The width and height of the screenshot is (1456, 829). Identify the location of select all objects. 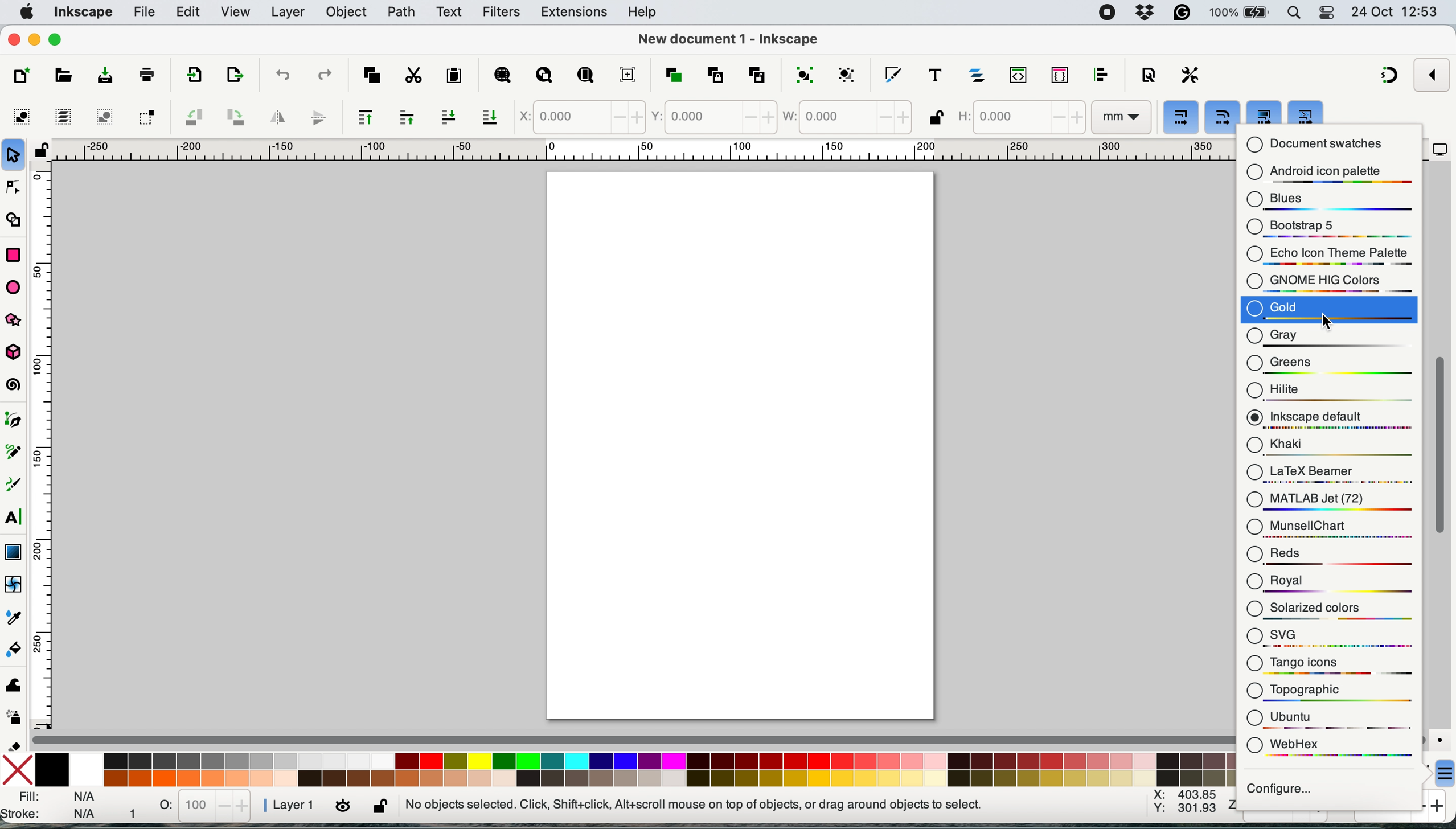
(19, 116).